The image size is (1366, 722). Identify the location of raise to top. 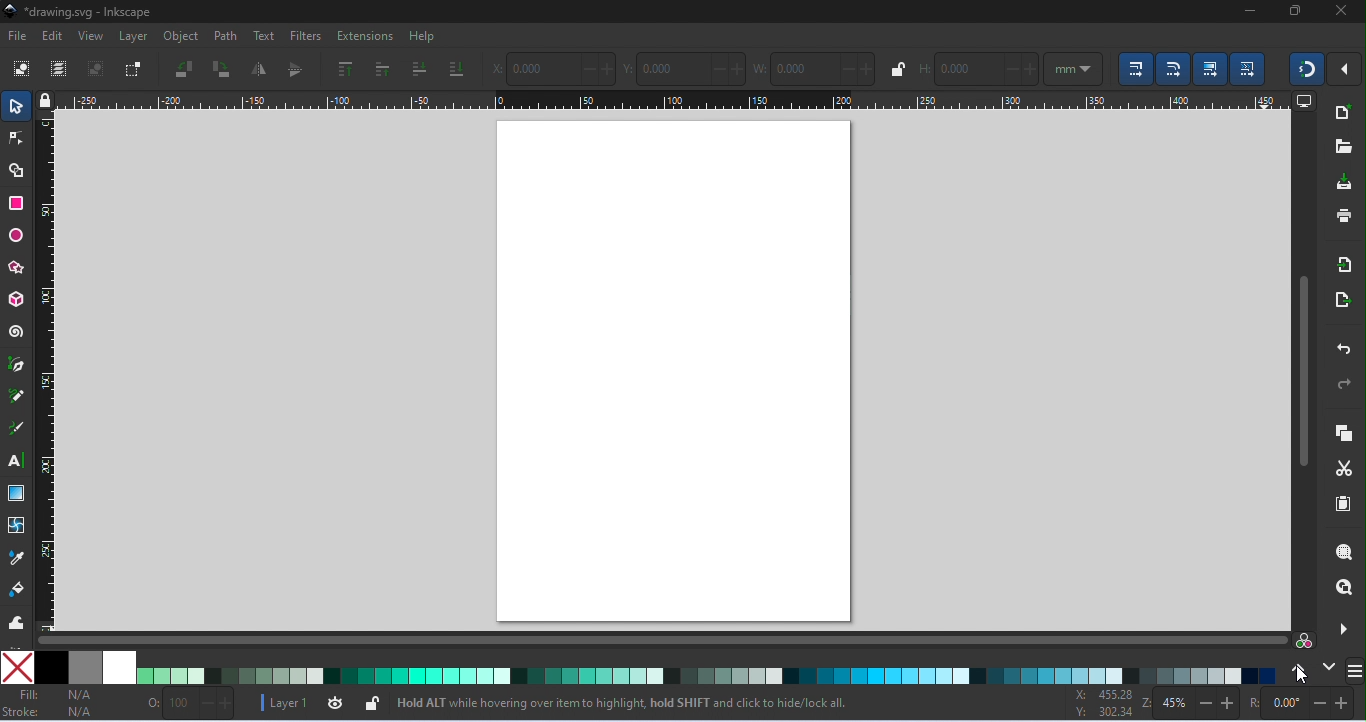
(345, 69).